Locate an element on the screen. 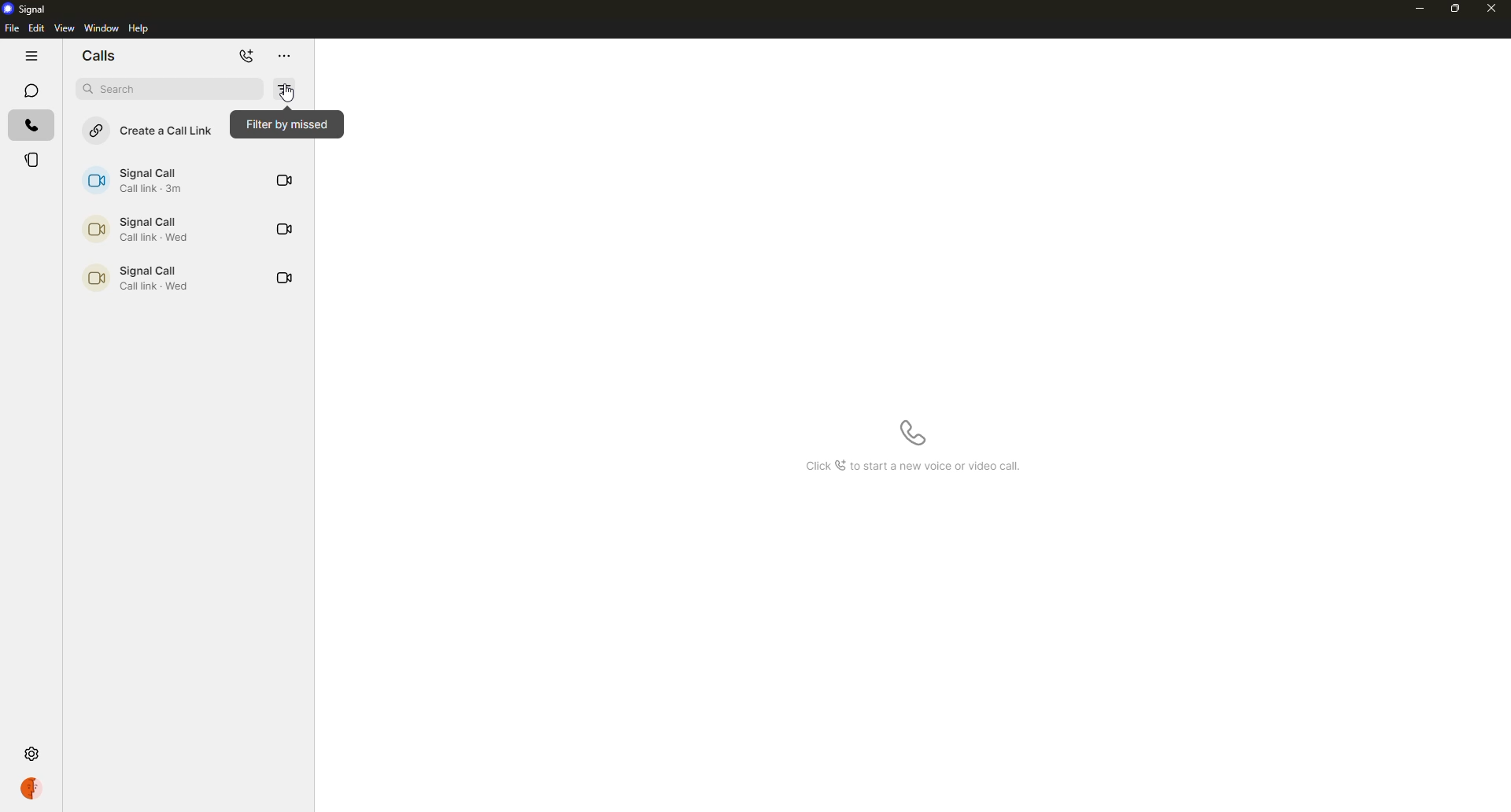 Image resolution: width=1511 pixels, height=812 pixels. more is located at coordinates (289, 57).